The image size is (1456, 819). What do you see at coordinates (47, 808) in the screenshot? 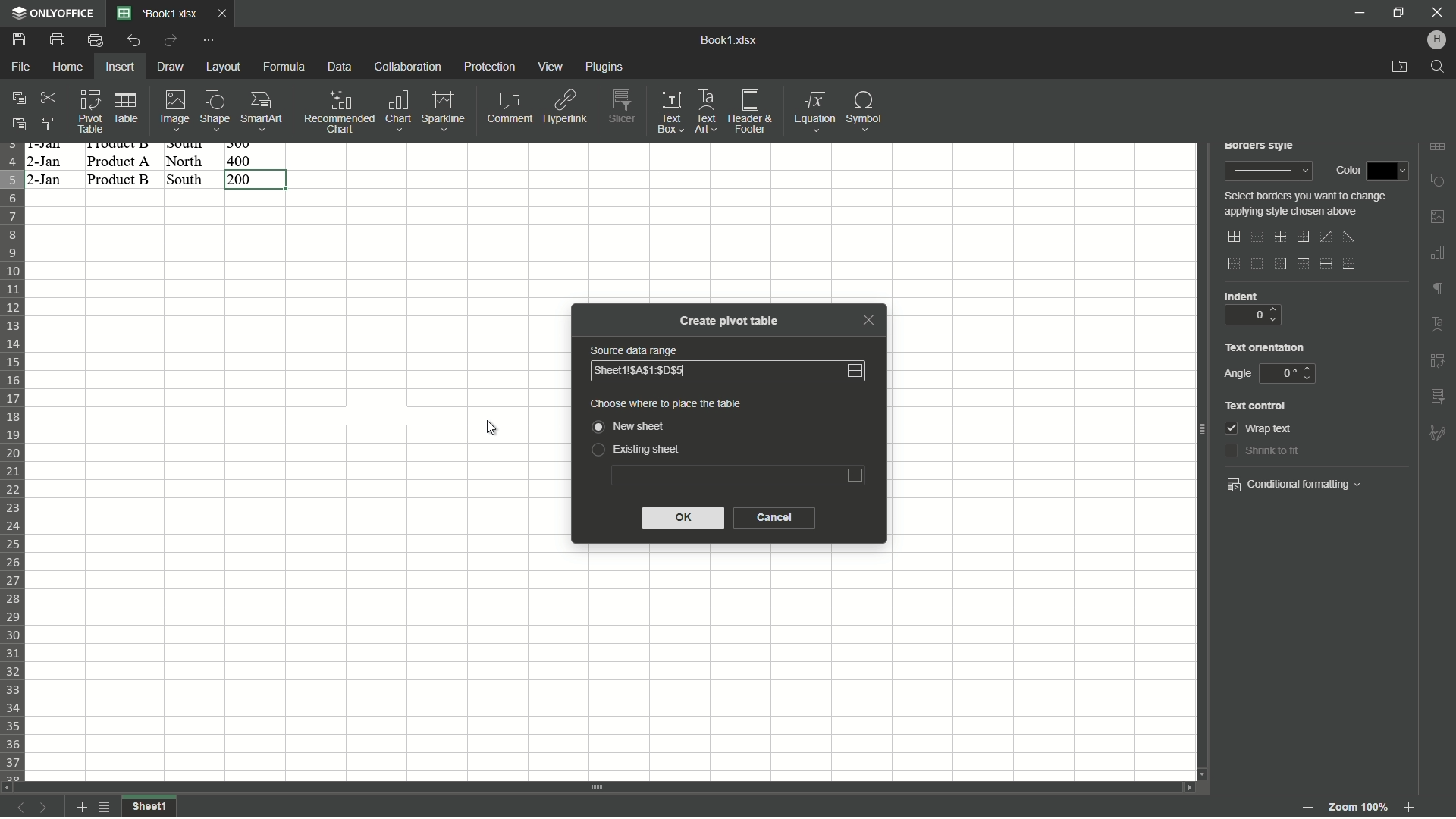
I see `next sheet` at bounding box center [47, 808].